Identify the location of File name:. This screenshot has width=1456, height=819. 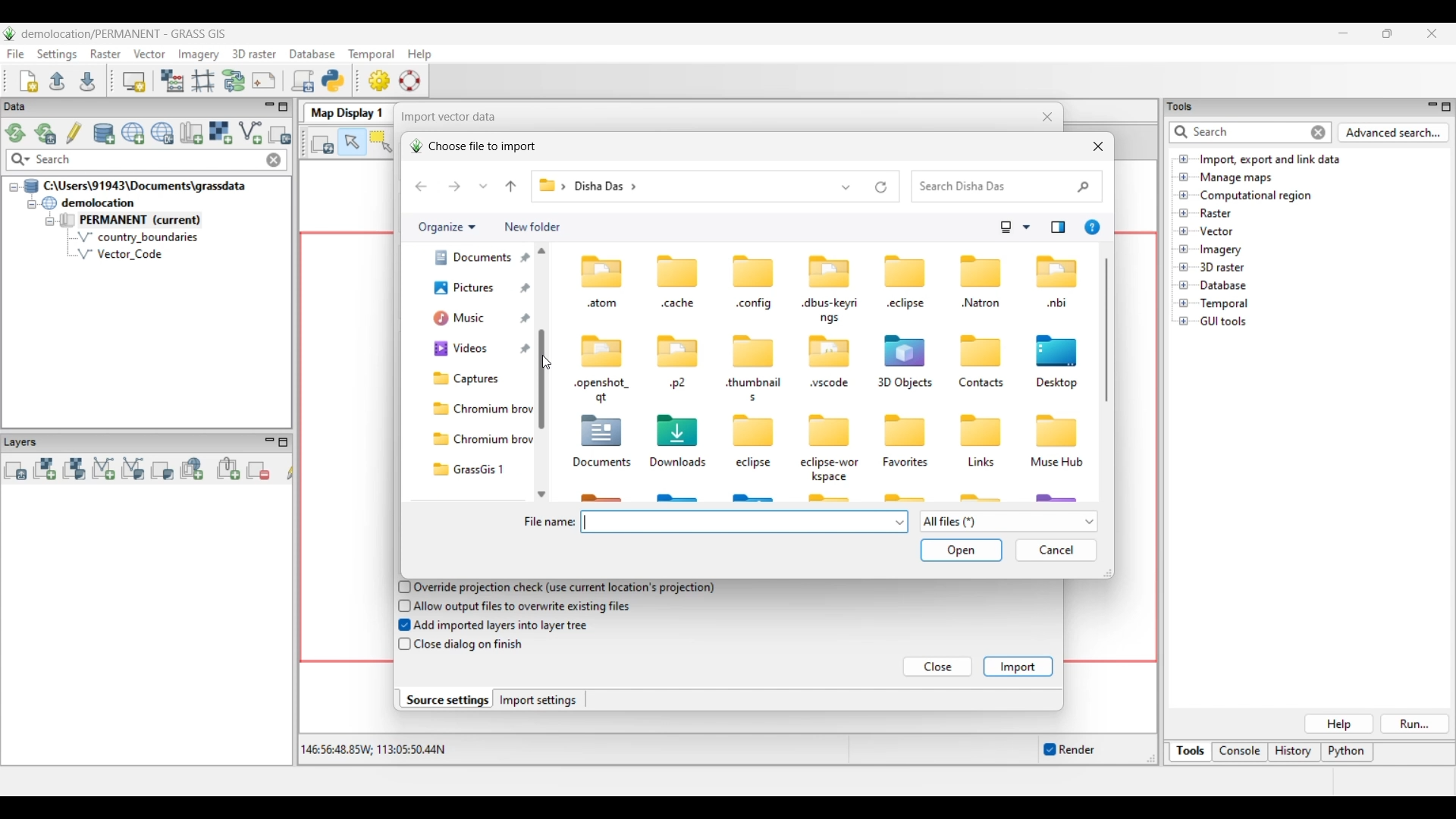
(548, 522).